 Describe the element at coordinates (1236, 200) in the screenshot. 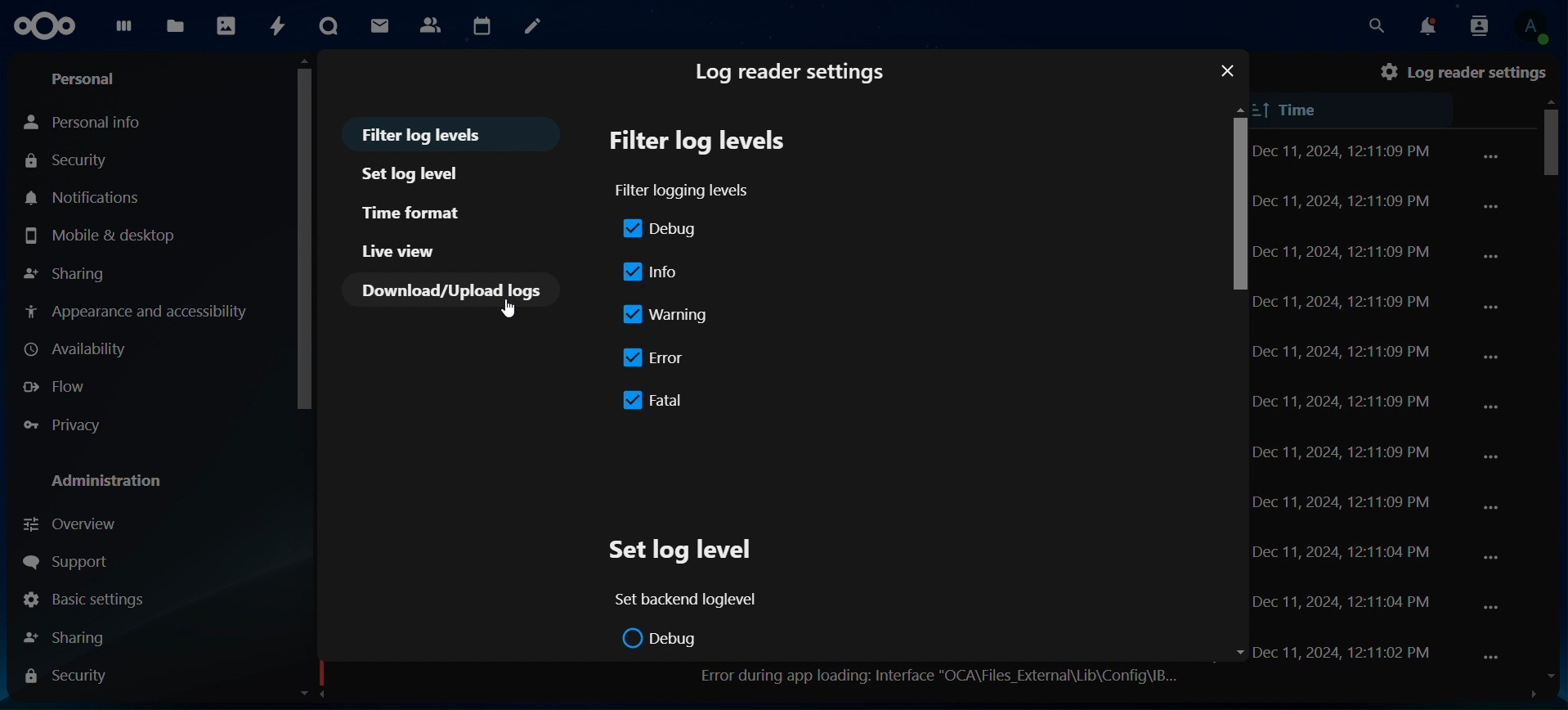

I see `scrollbar` at that location.